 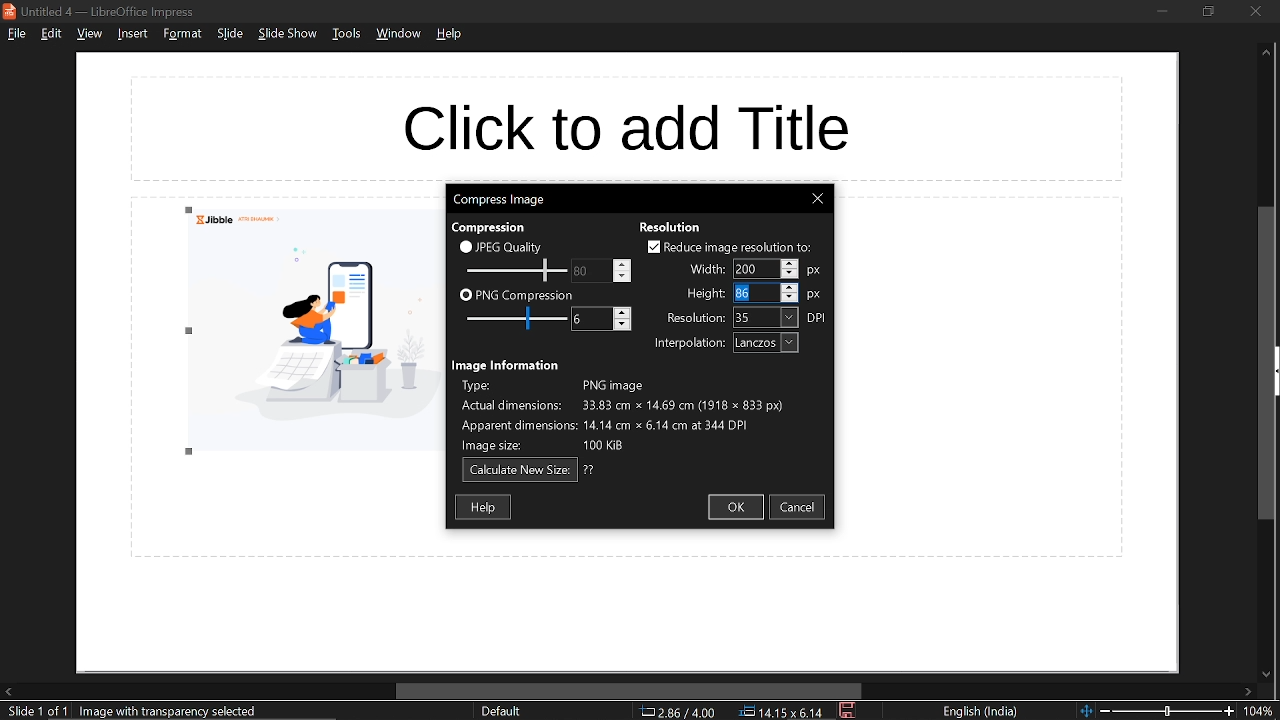 I want to click on image with transparency selected, so click(x=174, y=711).